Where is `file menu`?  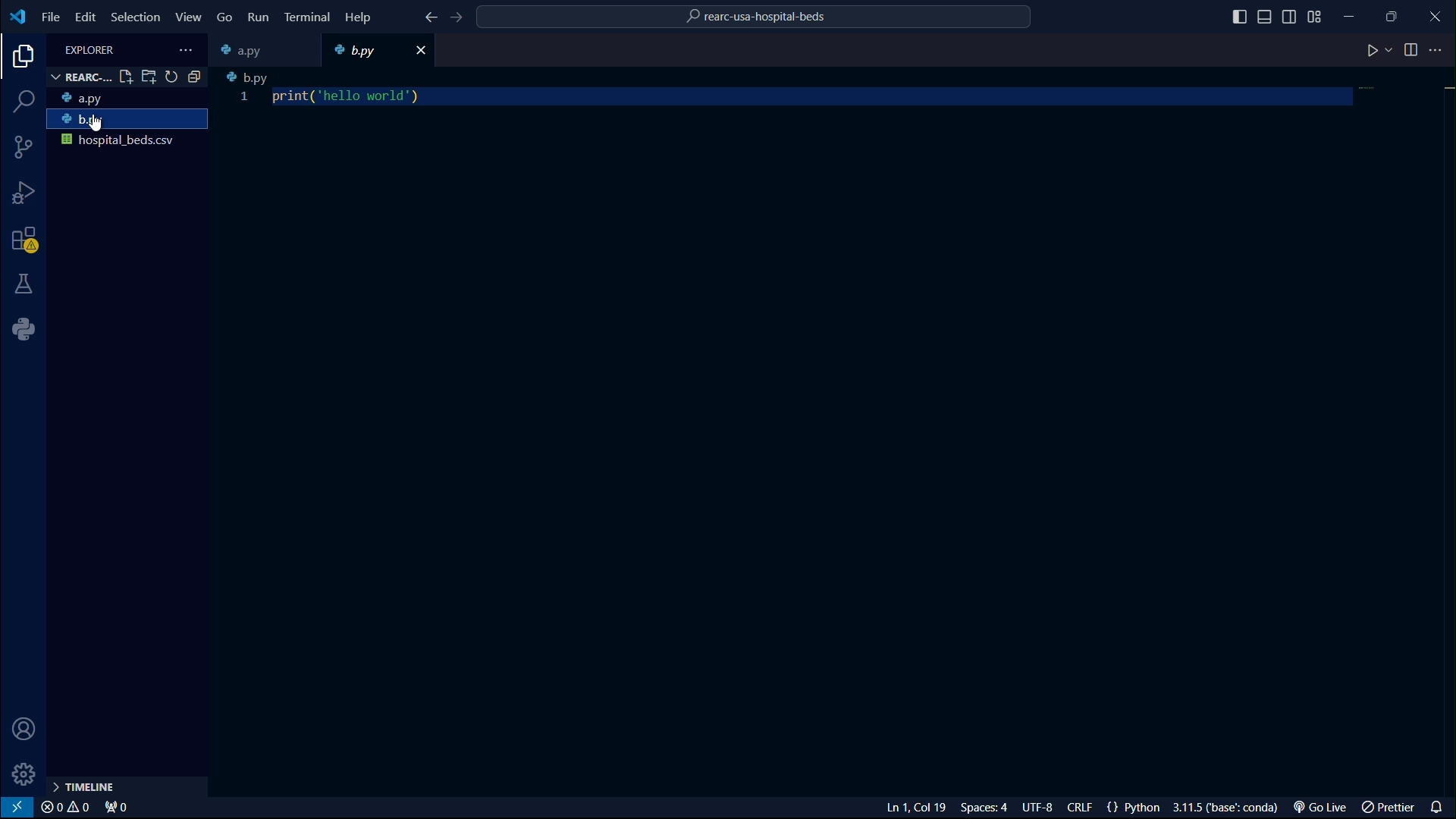 file menu is located at coordinates (49, 16).